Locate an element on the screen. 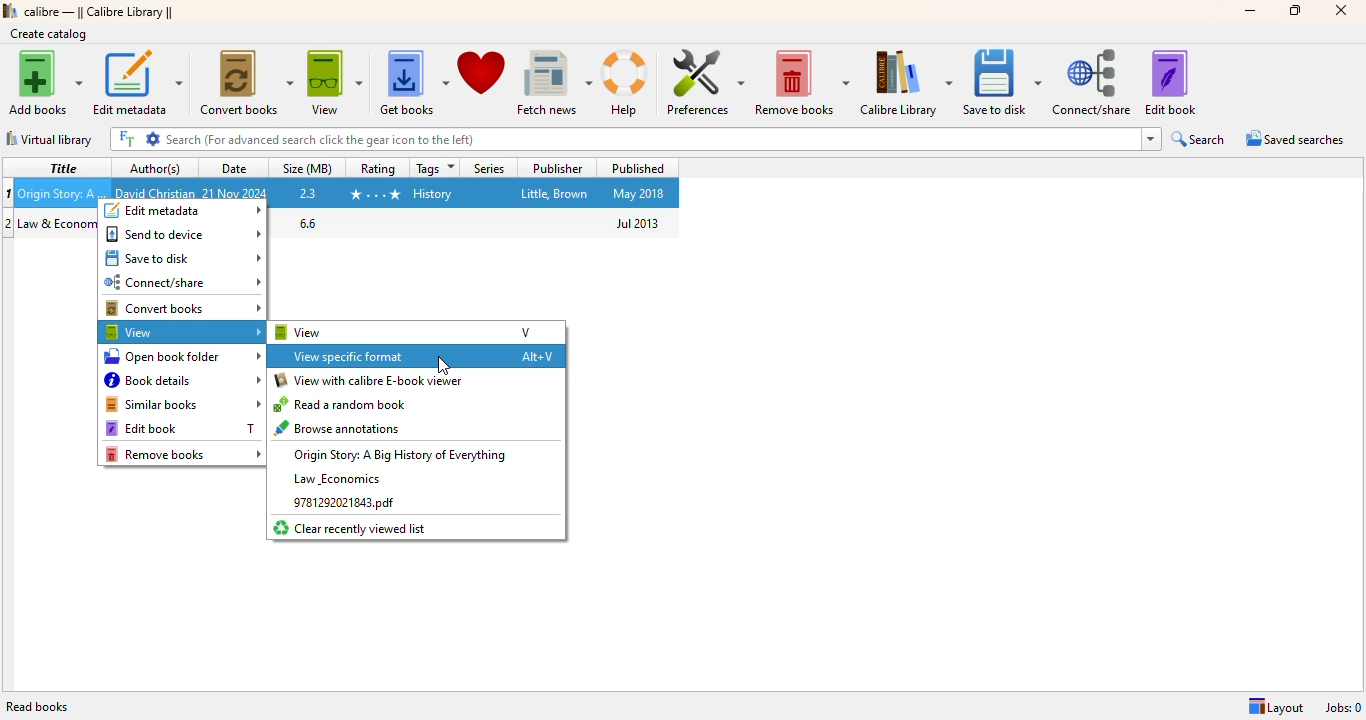  fetch news is located at coordinates (554, 83).